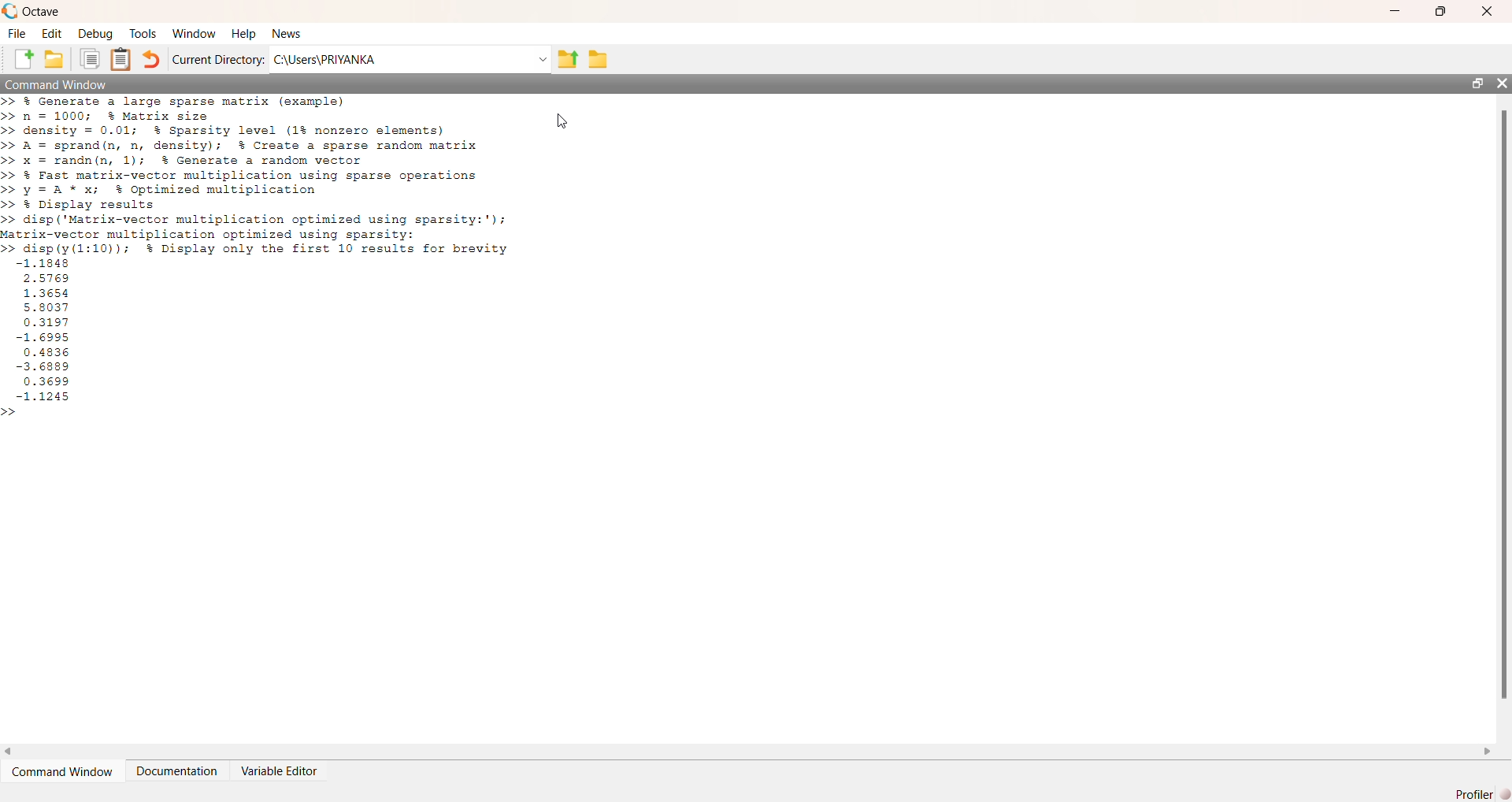 The width and height of the screenshot is (1512, 802). I want to click on new script, so click(20, 61).